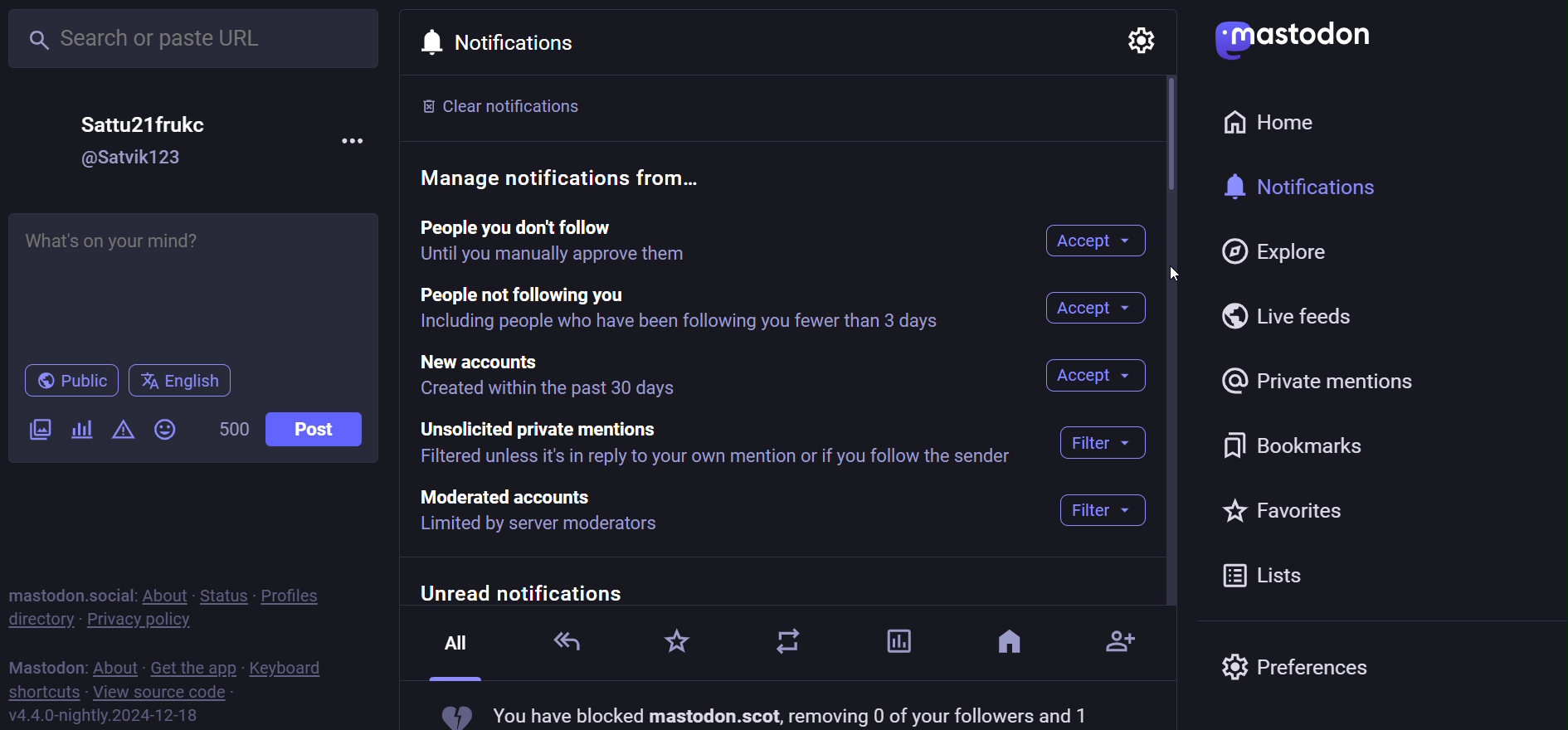 This screenshot has width=1568, height=730. Describe the element at coordinates (289, 668) in the screenshot. I see `keyboard` at that location.